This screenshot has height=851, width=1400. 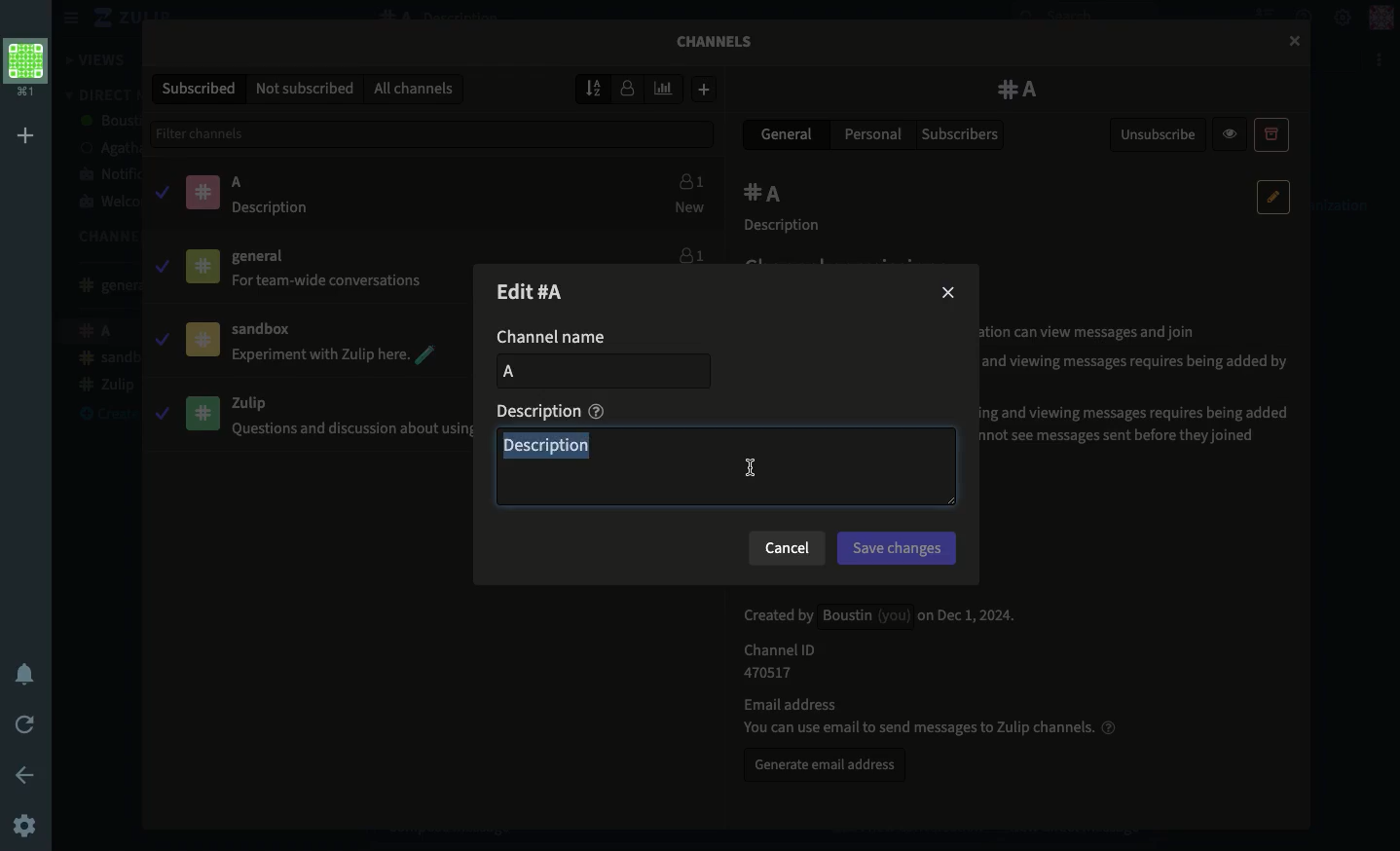 What do you see at coordinates (306, 89) in the screenshot?
I see `Not subscribed` at bounding box center [306, 89].